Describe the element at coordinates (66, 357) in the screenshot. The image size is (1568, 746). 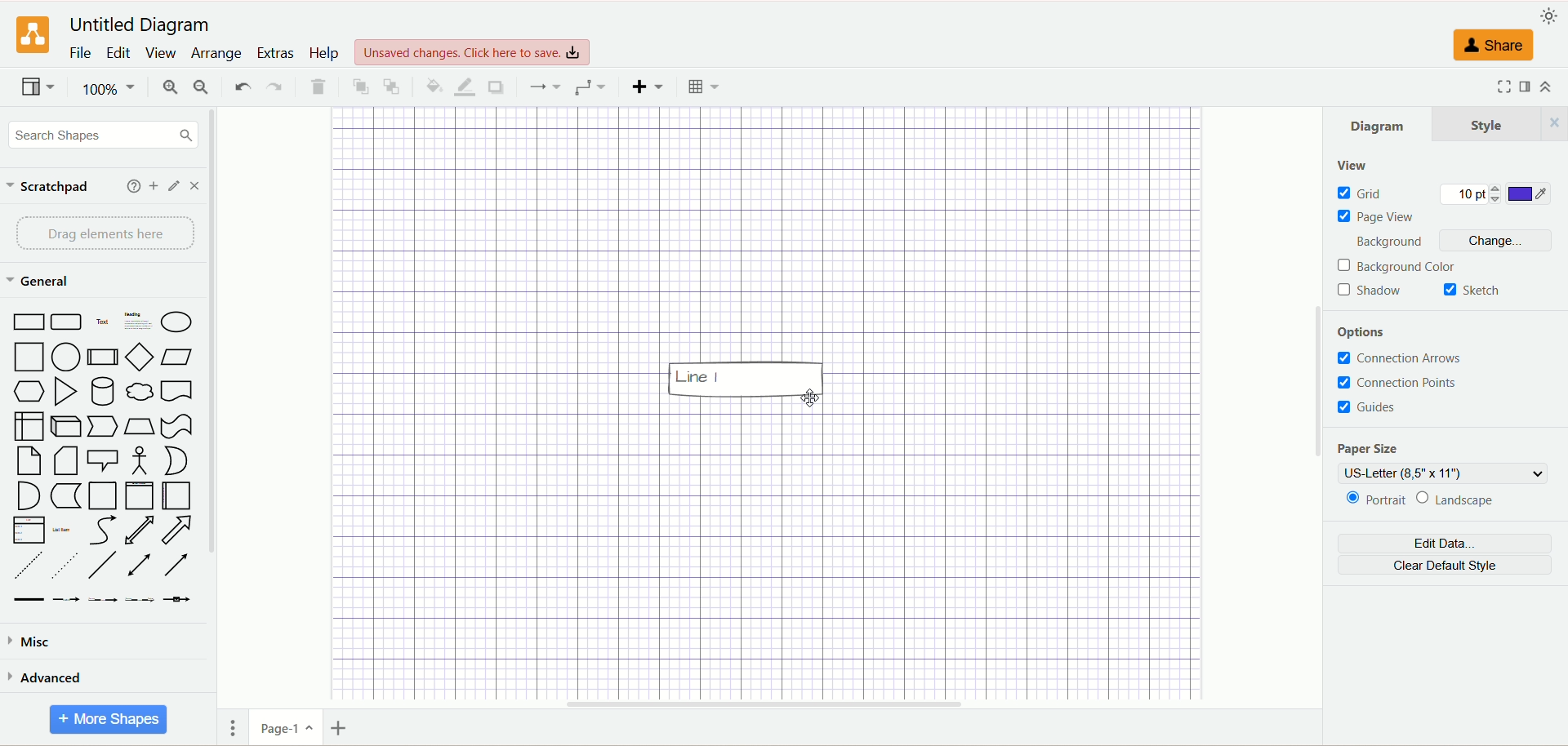
I see `Circle` at that location.